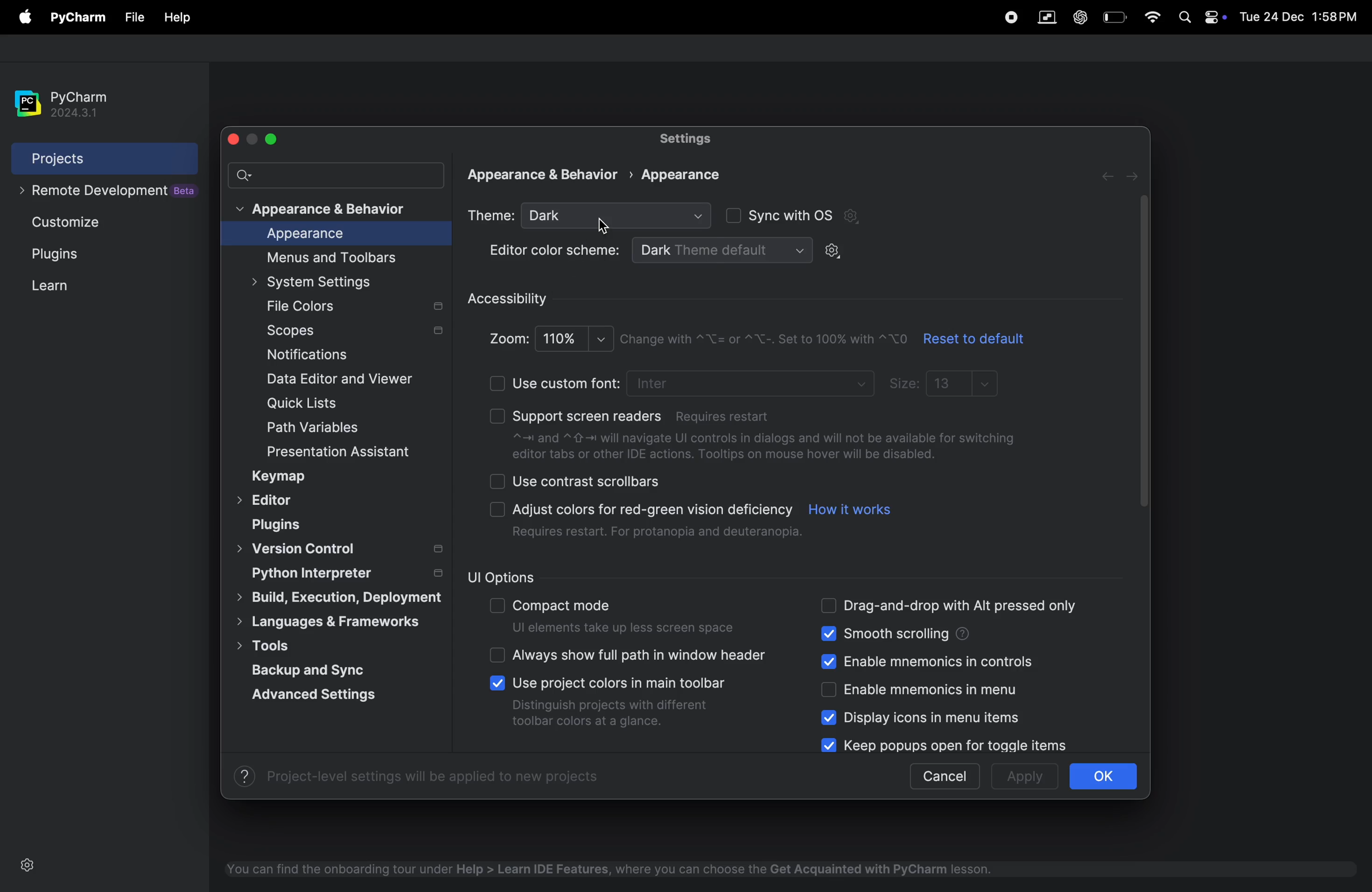 This screenshot has width=1372, height=892. What do you see at coordinates (1103, 777) in the screenshot?
I see `ok` at bounding box center [1103, 777].